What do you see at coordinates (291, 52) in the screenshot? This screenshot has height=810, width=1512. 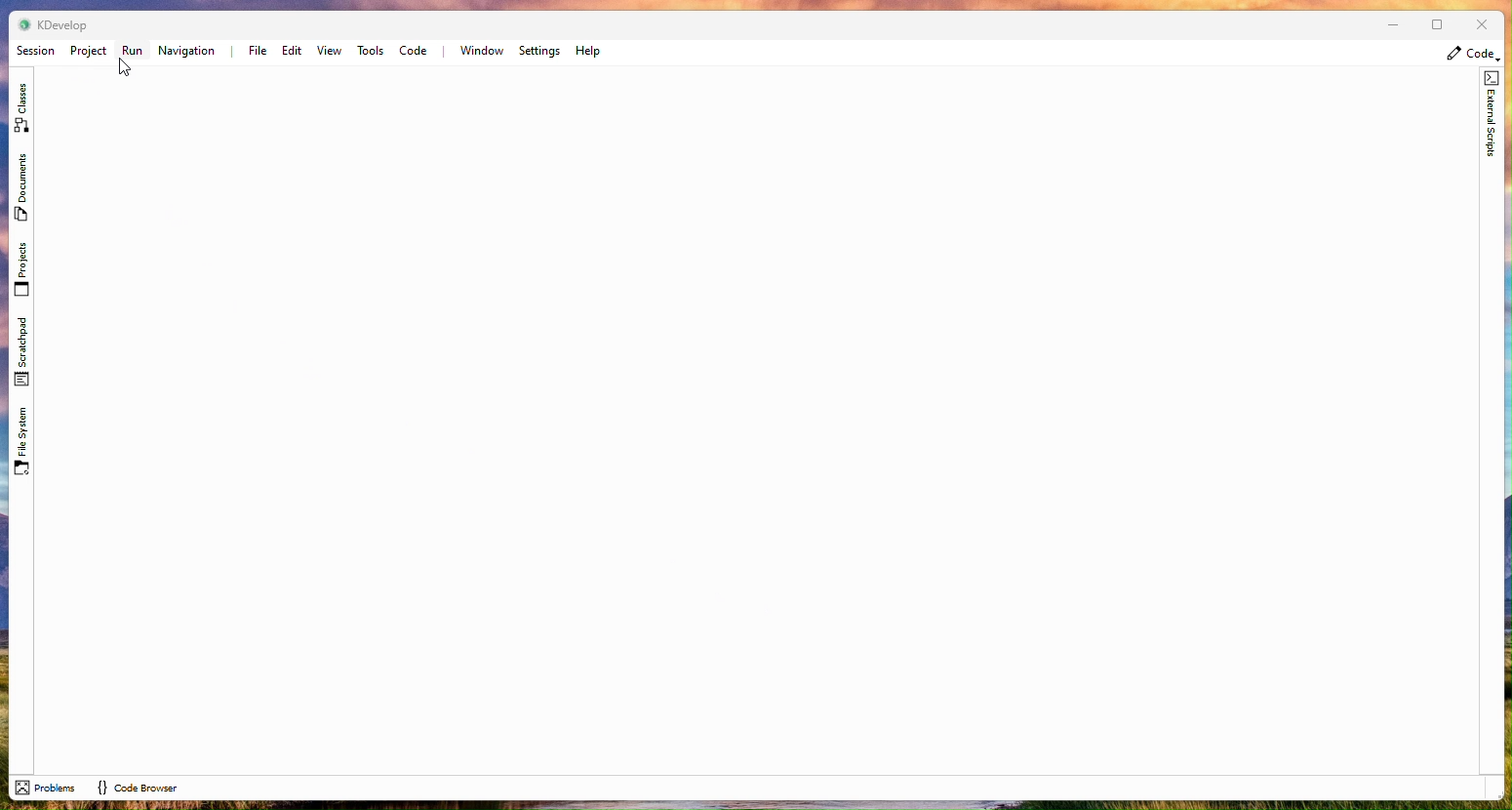 I see `Edit` at bounding box center [291, 52].